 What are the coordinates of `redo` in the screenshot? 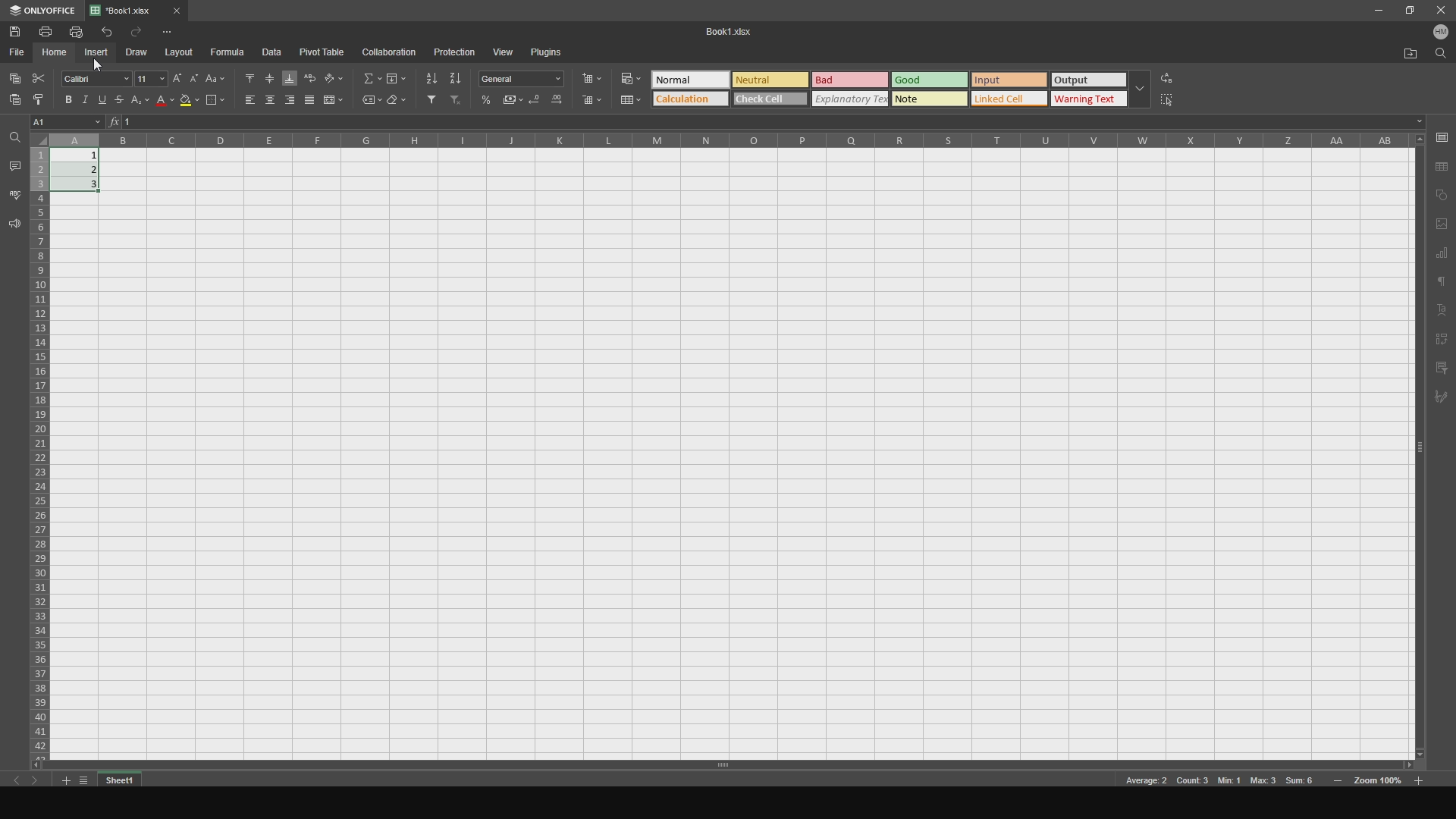 It's located at (139, 32).